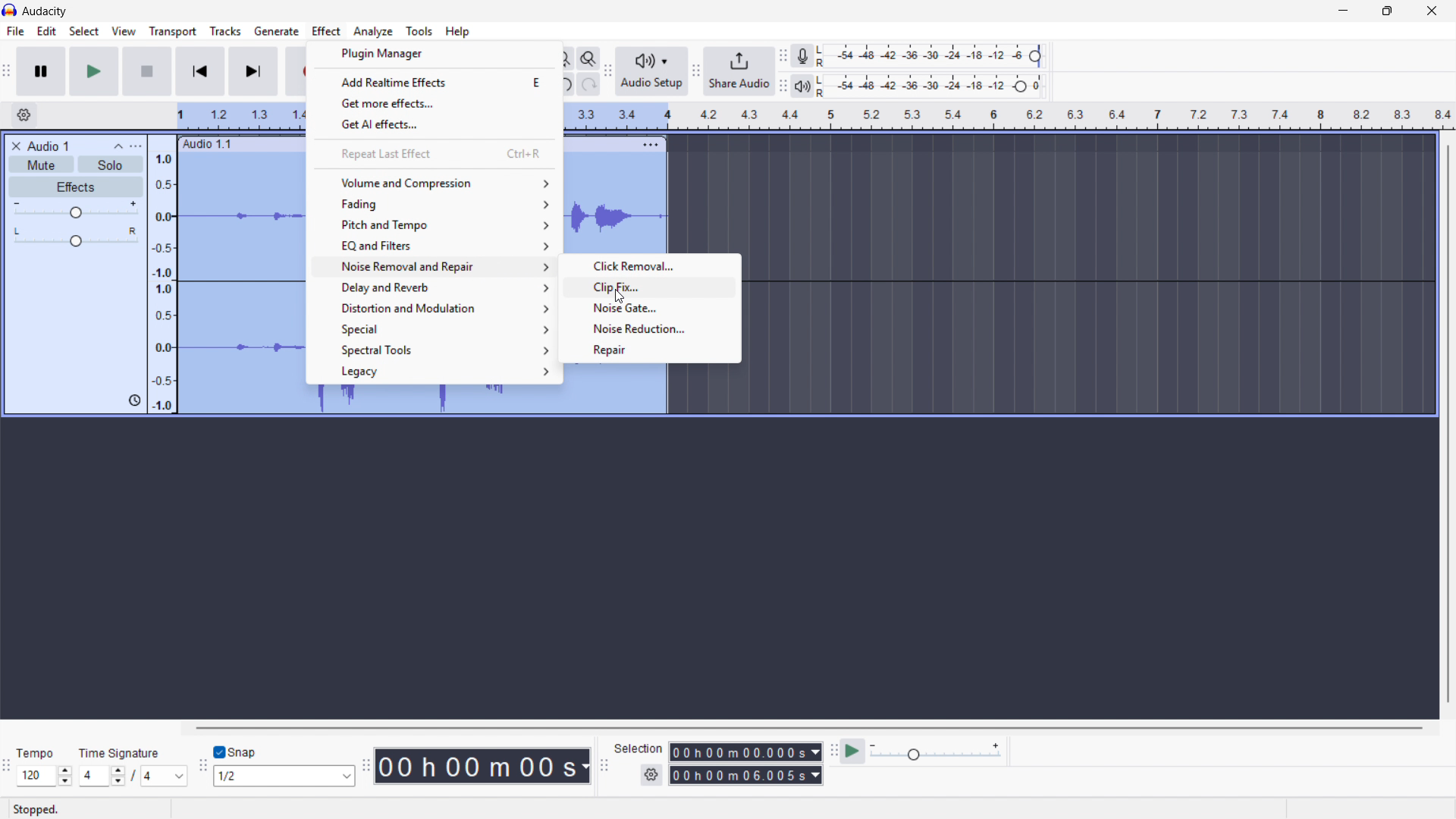 The height and width of the screenshot is (819, 1456). Describe the element at coordinates (853, 752) in the screenshot. I see `Play at speed` at that location.